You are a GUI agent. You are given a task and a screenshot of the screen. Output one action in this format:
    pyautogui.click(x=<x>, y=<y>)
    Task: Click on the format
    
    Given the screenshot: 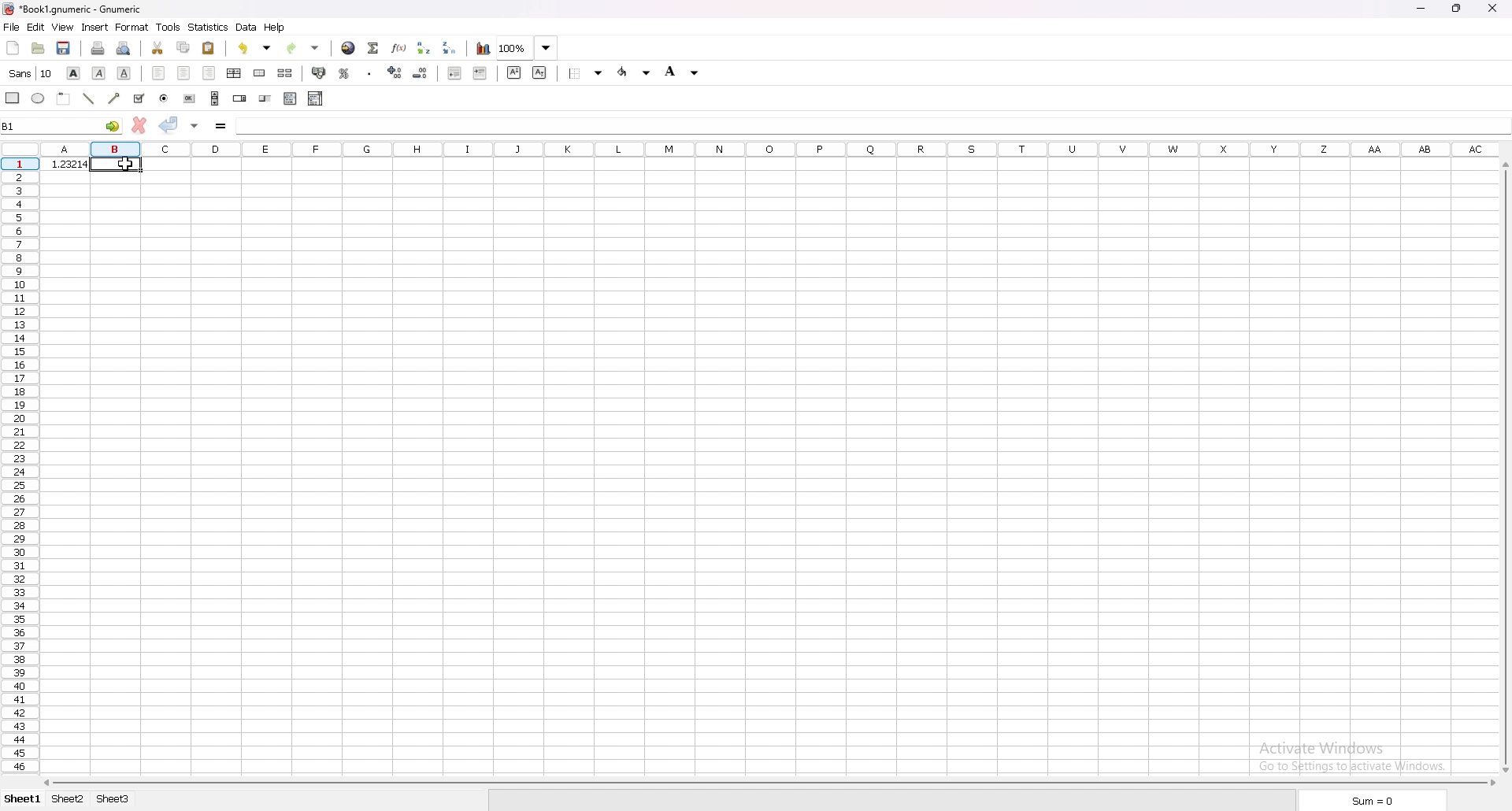 What is the action you would take?
    pyautogui.click(x=132, y=27)
    